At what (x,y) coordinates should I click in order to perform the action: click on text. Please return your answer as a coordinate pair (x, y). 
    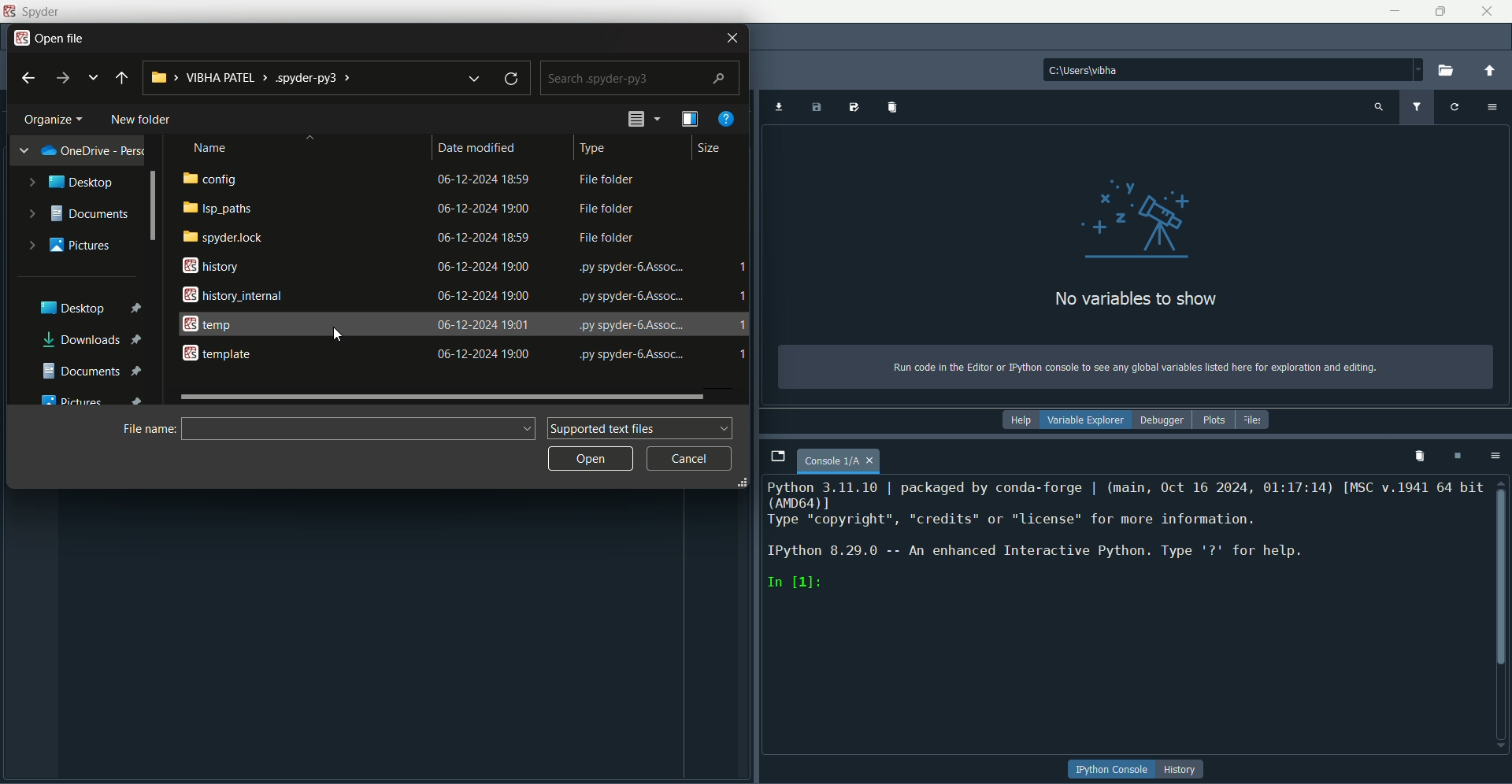
    Looking at the image, I should click on (631, 324).